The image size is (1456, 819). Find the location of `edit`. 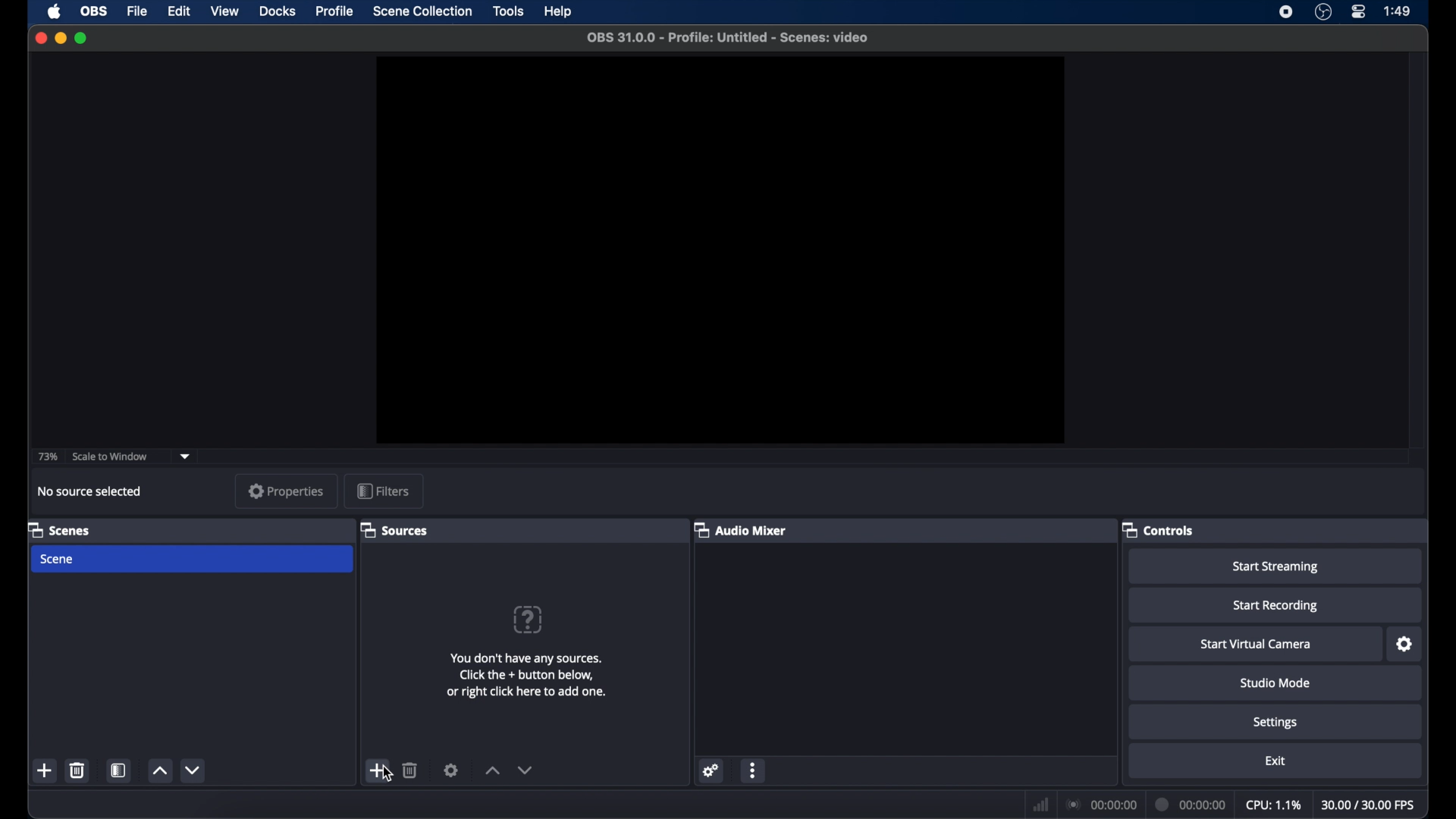

edit is located at coordinates (178, 11).